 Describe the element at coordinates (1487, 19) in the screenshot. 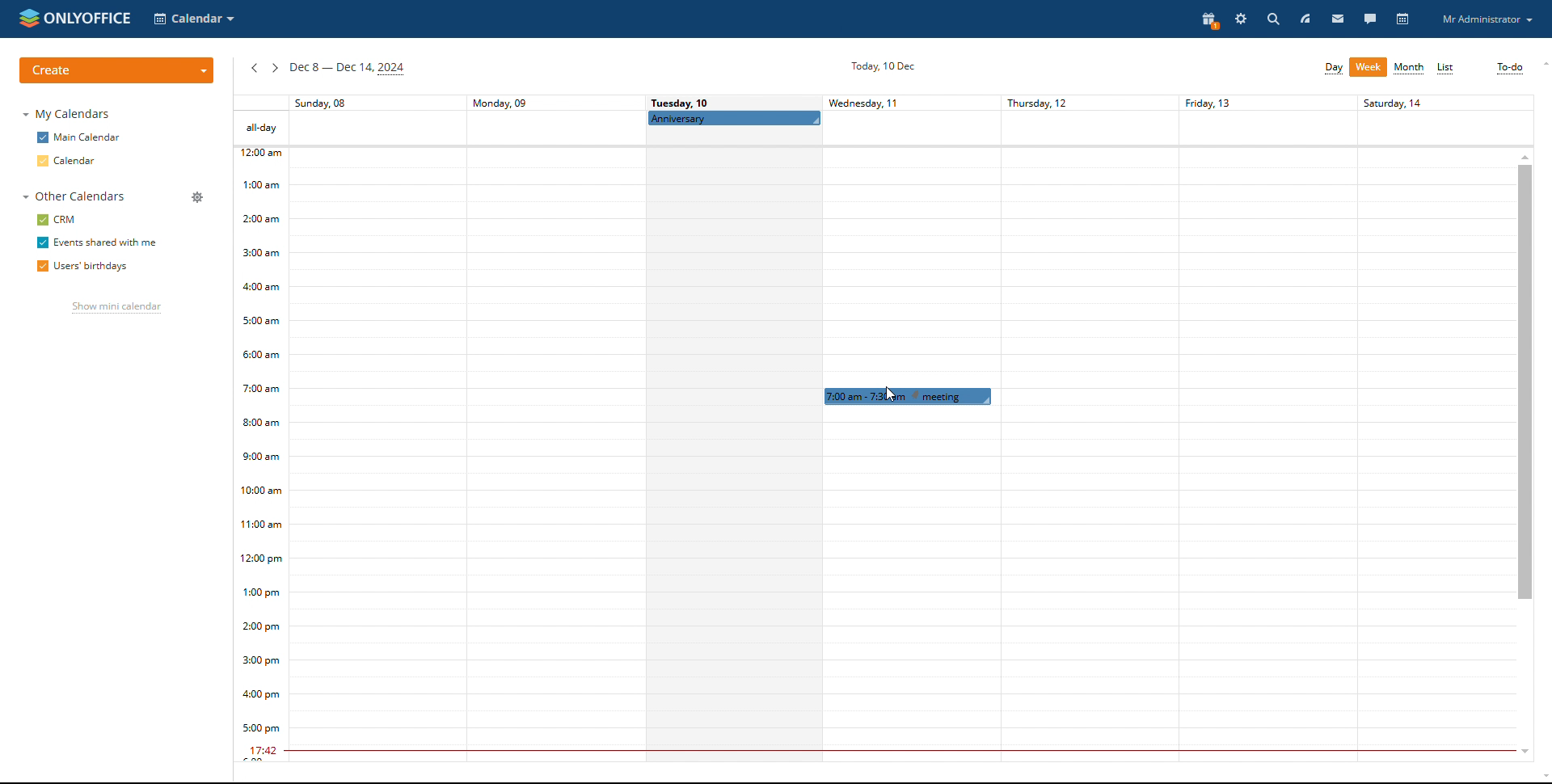

I see `profile` at that location.